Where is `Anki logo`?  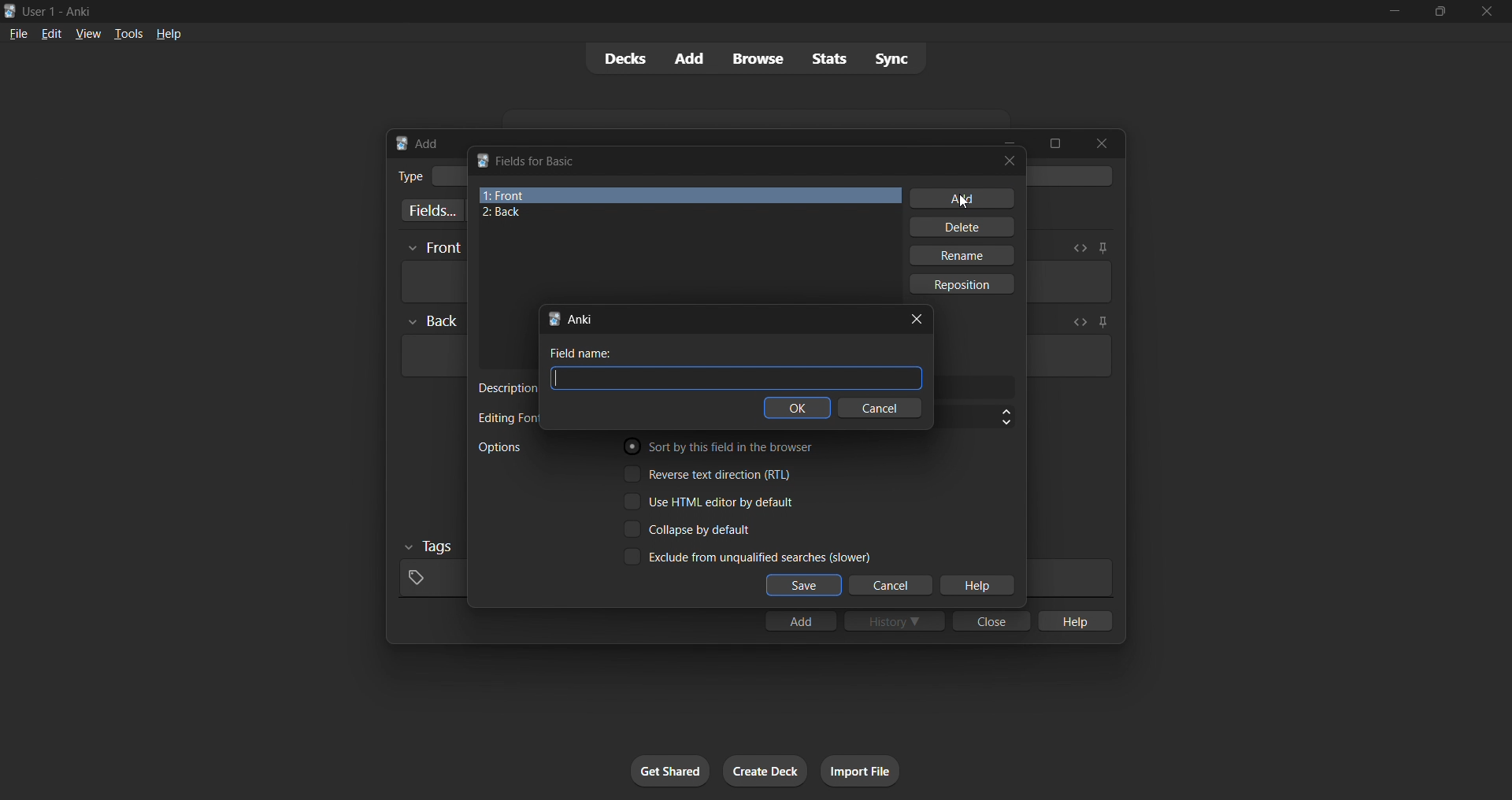
Anki logo is located at coordinates (402, 143).